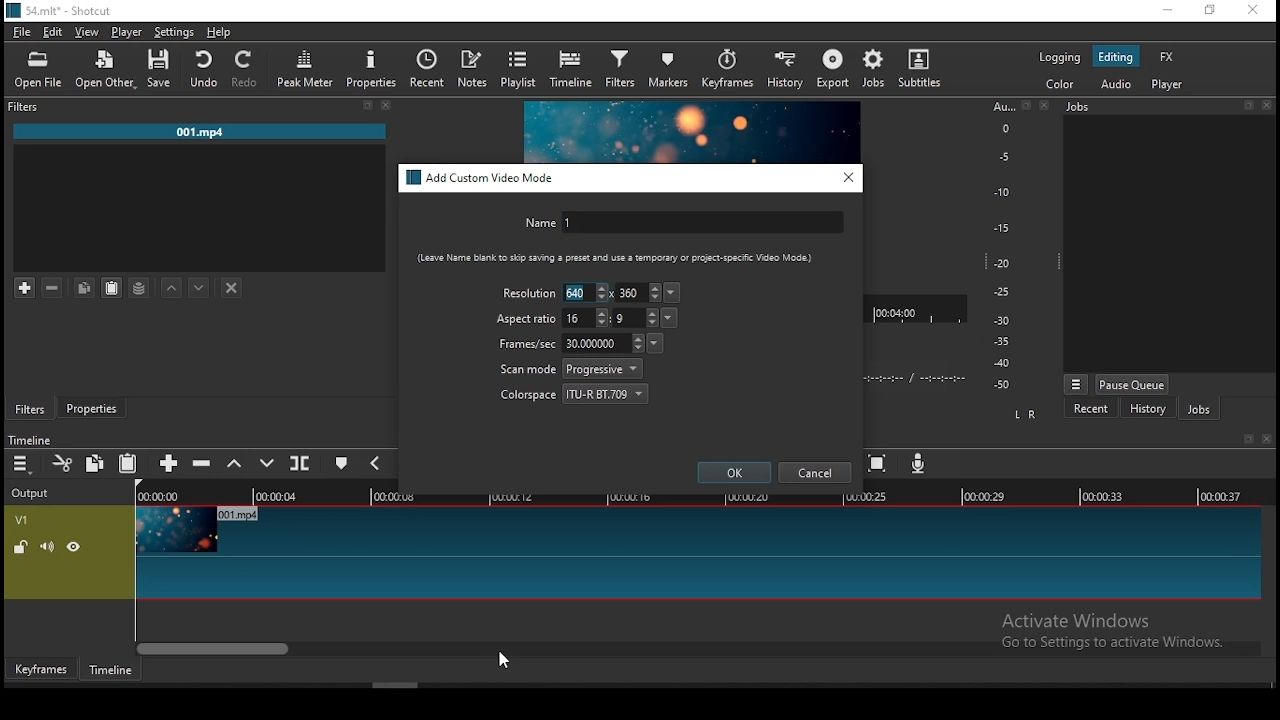  What do you see at coordinates (26, 107) in the screenshot?
I see `Filter` at bounding box center [26, 107].